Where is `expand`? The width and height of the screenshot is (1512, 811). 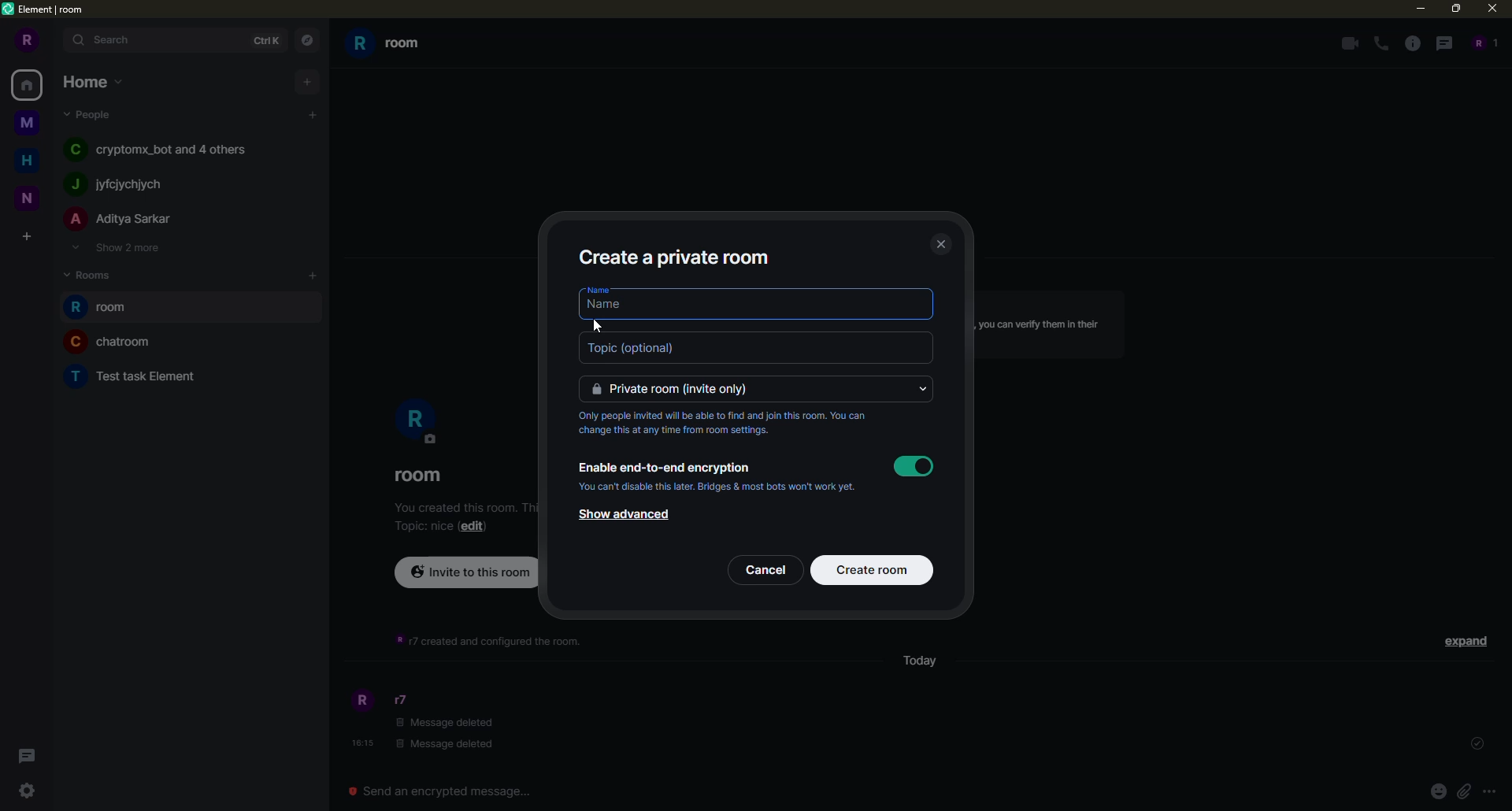
expand is located at coordinates (1463, 641).